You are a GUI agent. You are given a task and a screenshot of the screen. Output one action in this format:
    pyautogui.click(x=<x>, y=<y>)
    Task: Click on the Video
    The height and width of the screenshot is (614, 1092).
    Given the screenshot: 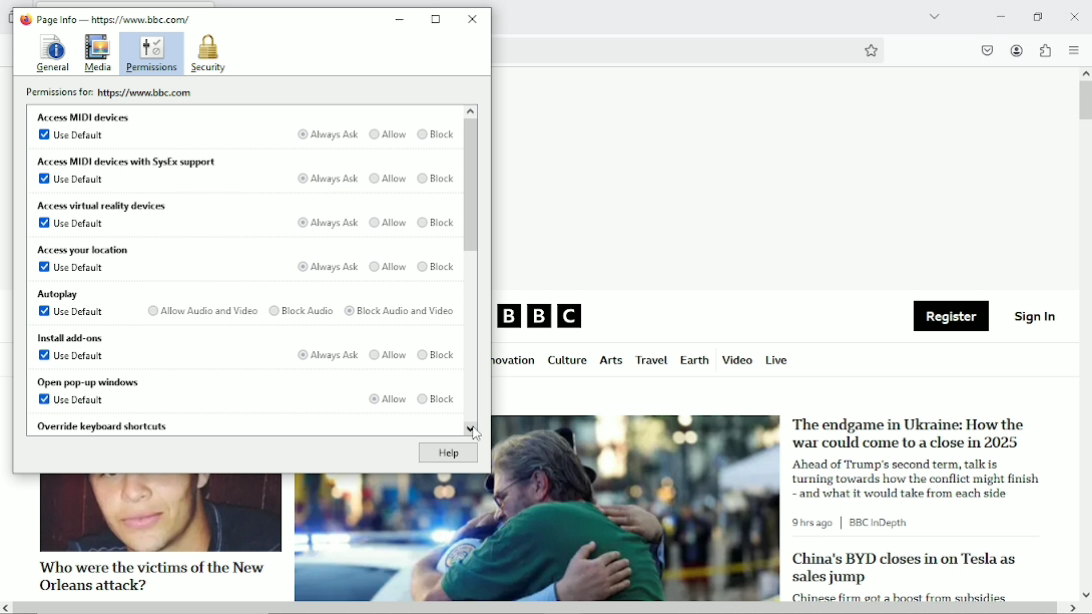 What is the action you would take?
    pyautogui.click(x=737, y=359)
    